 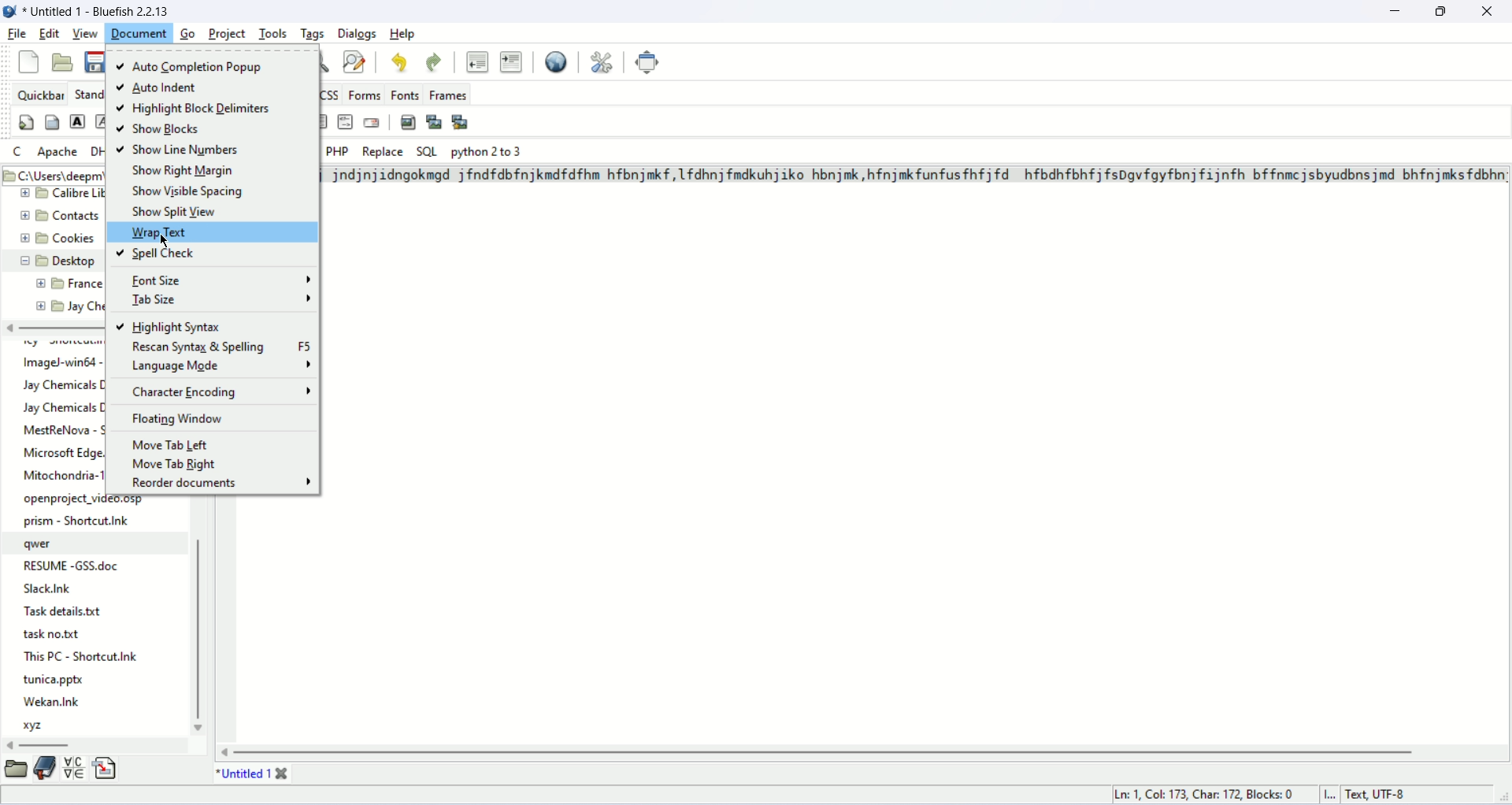 What do you see at coordinates (220, 281) in the screenshot?
I see `font size` at bounding box center [220, 281].